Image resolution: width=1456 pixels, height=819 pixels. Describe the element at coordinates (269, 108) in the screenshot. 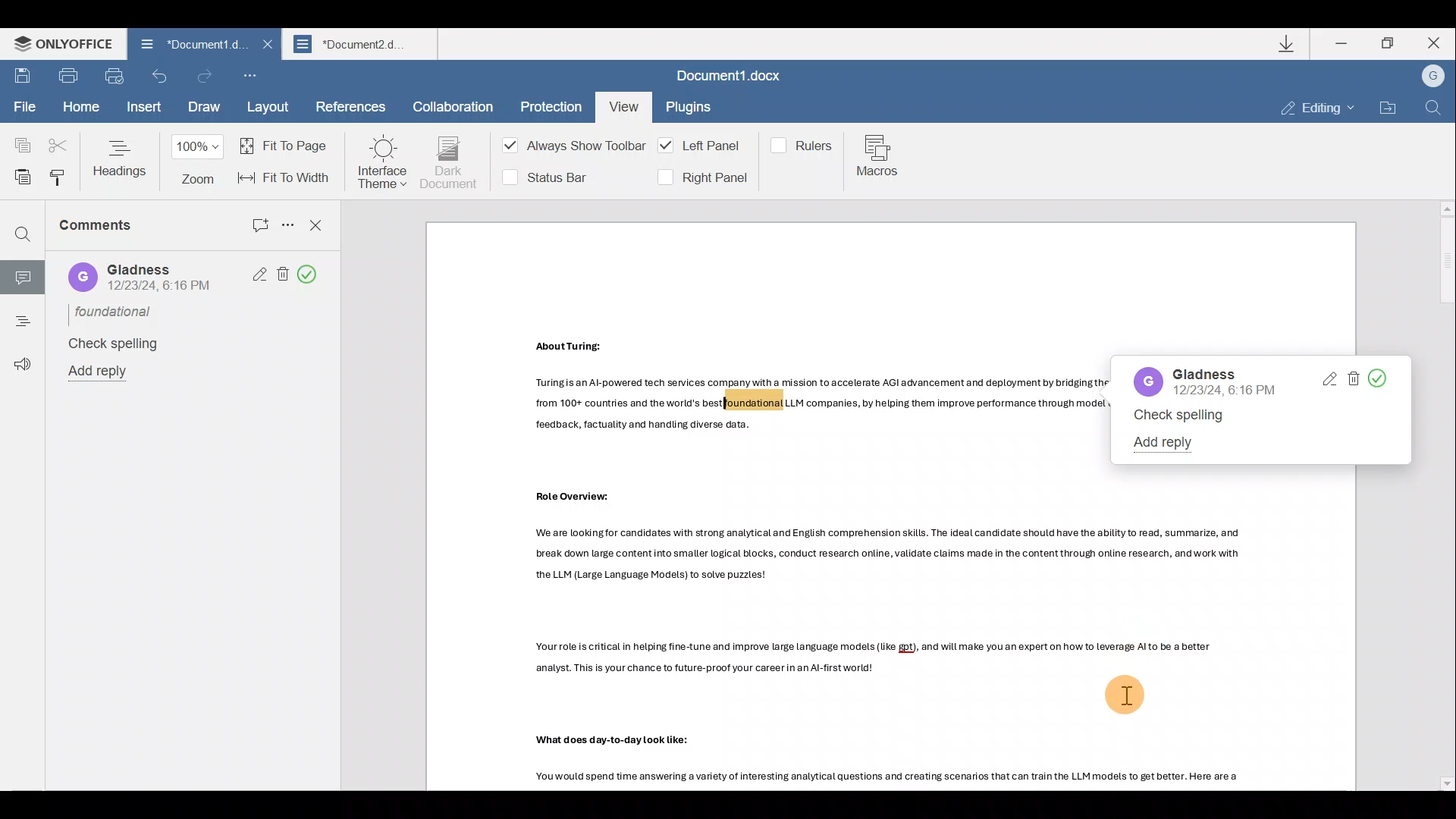

I see `Layout` at that location.